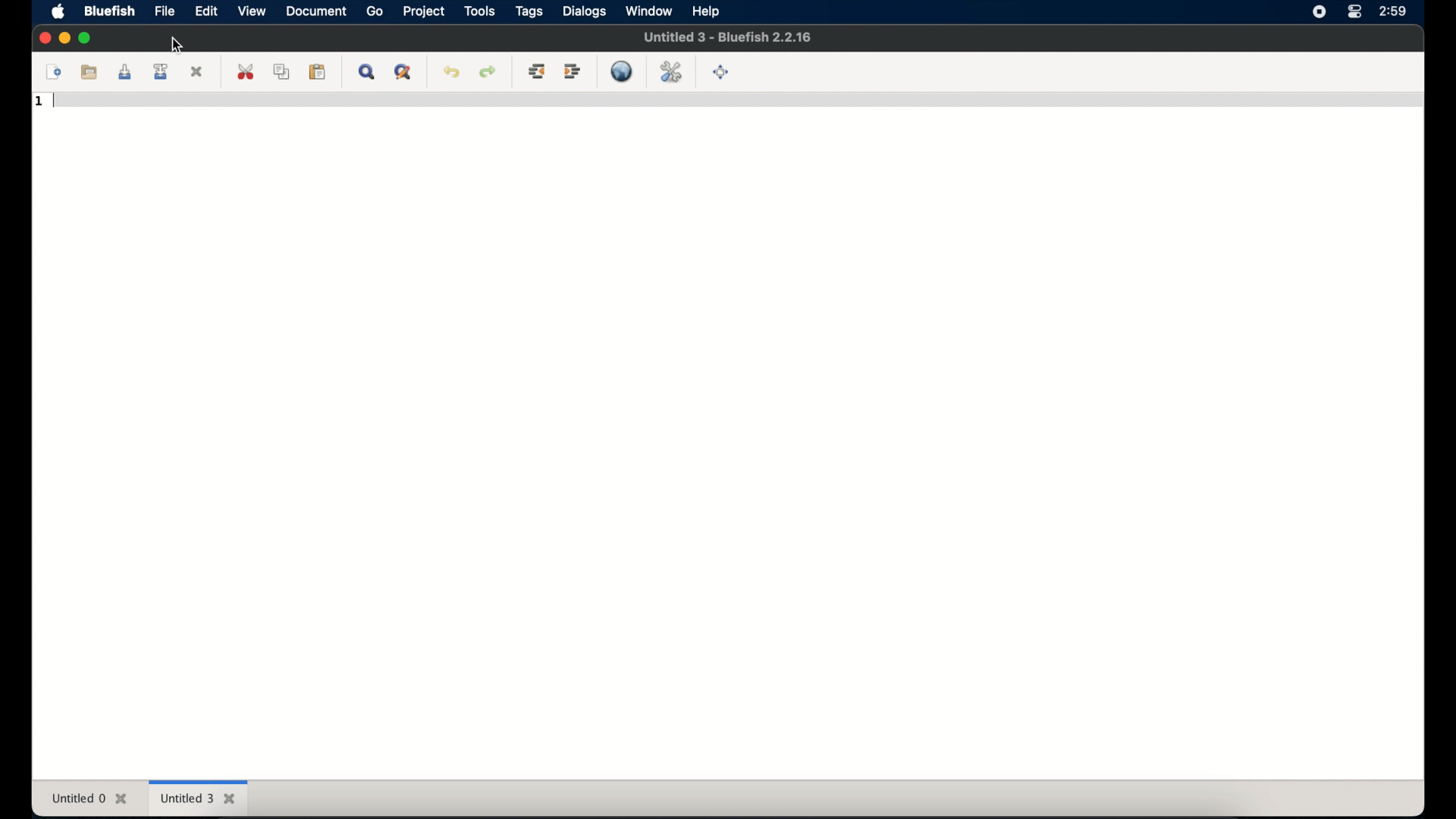 The height and width of the screenshot is (819, 1456). What do you see at coordinates (208, 11) in the screenshot?
I see `edit` at bounding box center [208, 11].